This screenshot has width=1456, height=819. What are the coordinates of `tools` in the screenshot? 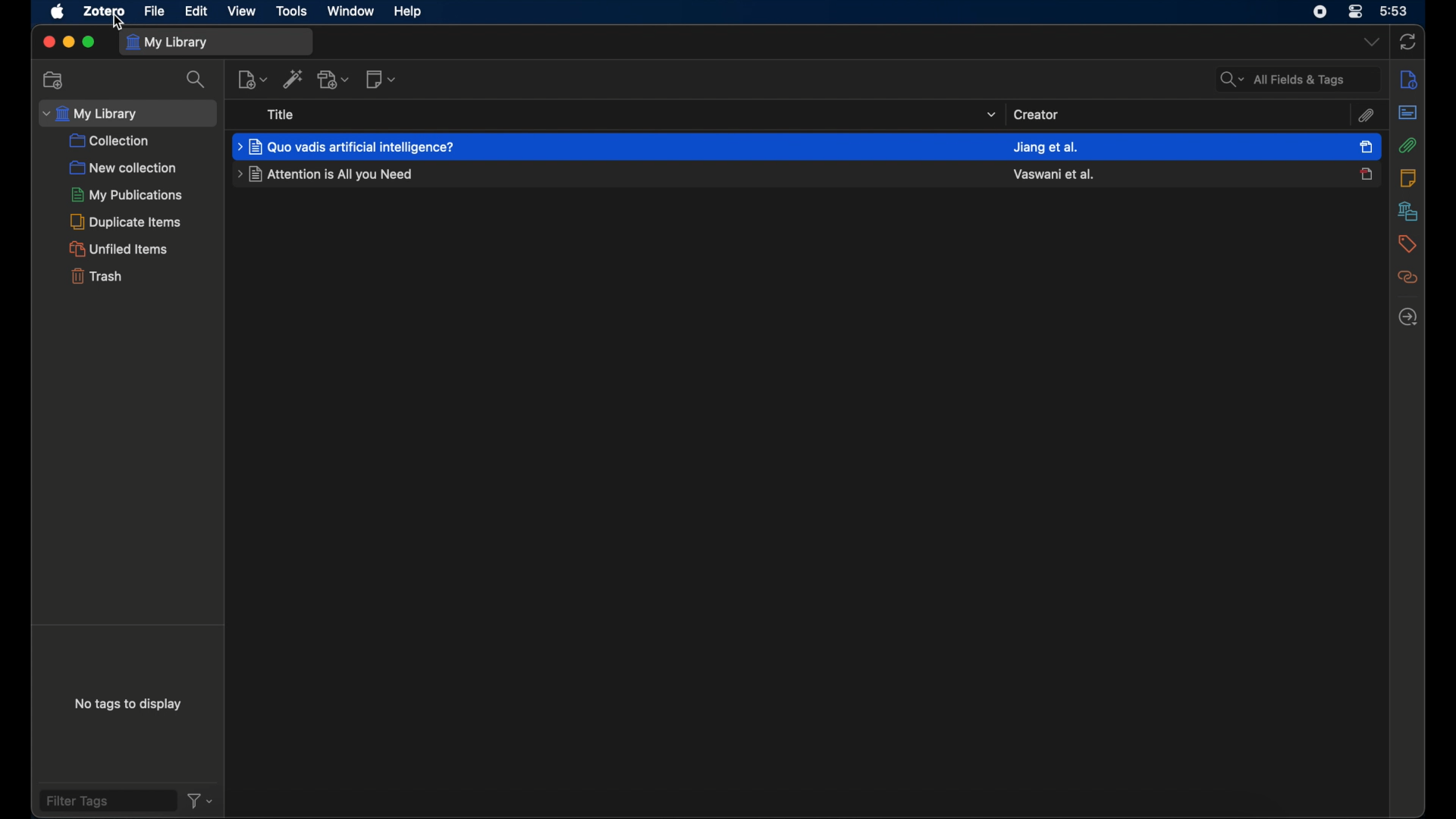 It's located at (292, 11).